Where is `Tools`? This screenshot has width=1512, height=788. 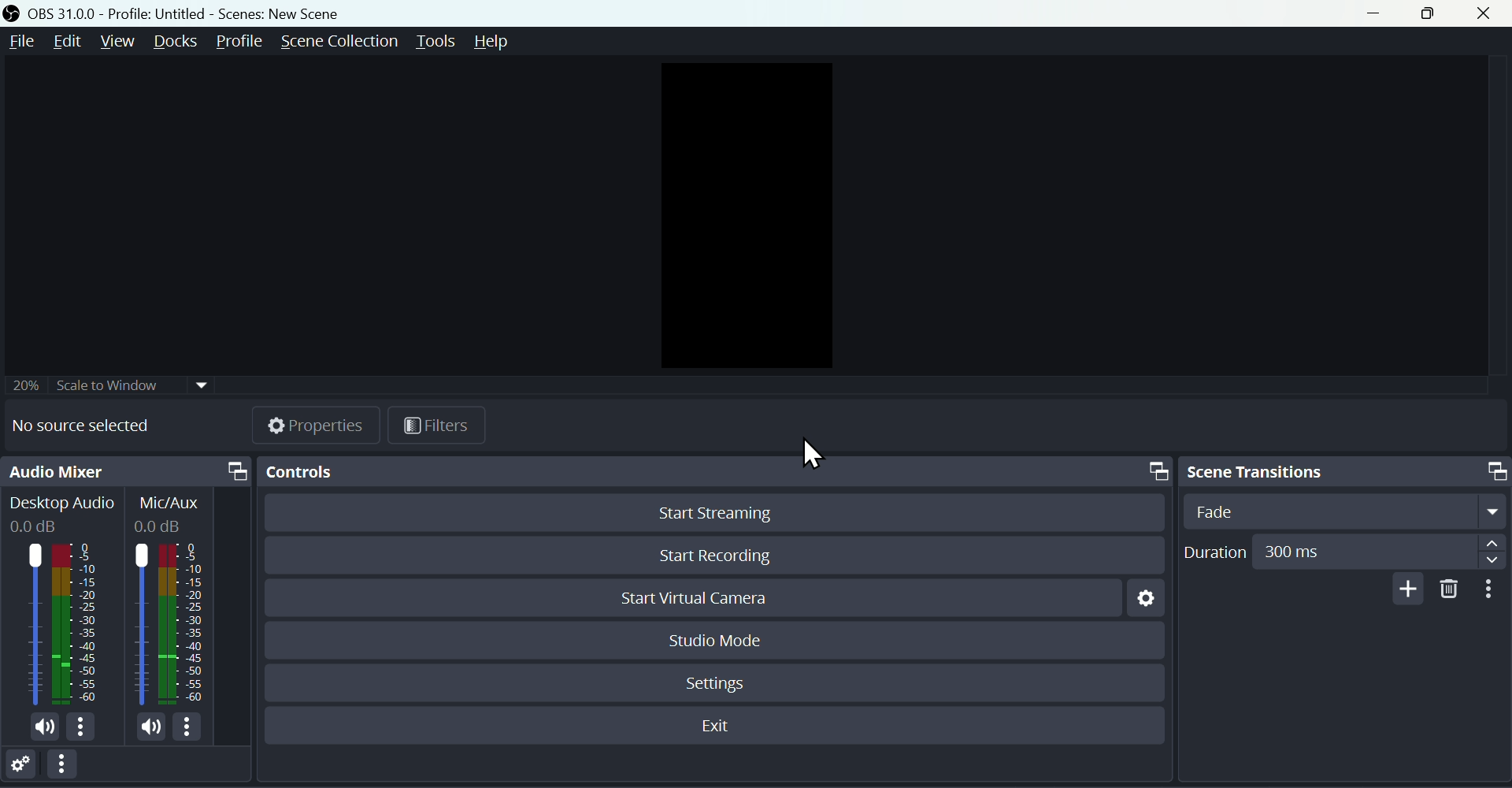
Tools is located at coordinates (438, 39).